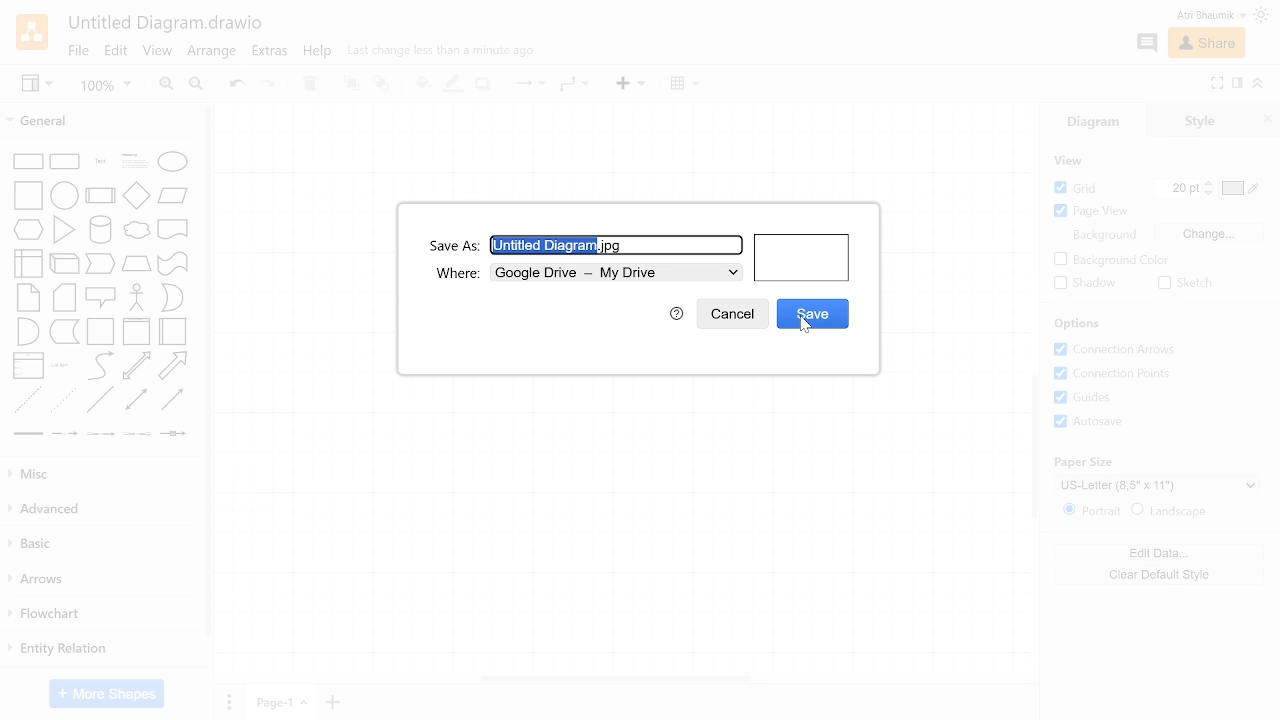 This screenshot has width=1280, height=720. What do you see at coordinates (1208, 234) in the screenshot?
I see `Change background` at bounding box center [1208, 234].